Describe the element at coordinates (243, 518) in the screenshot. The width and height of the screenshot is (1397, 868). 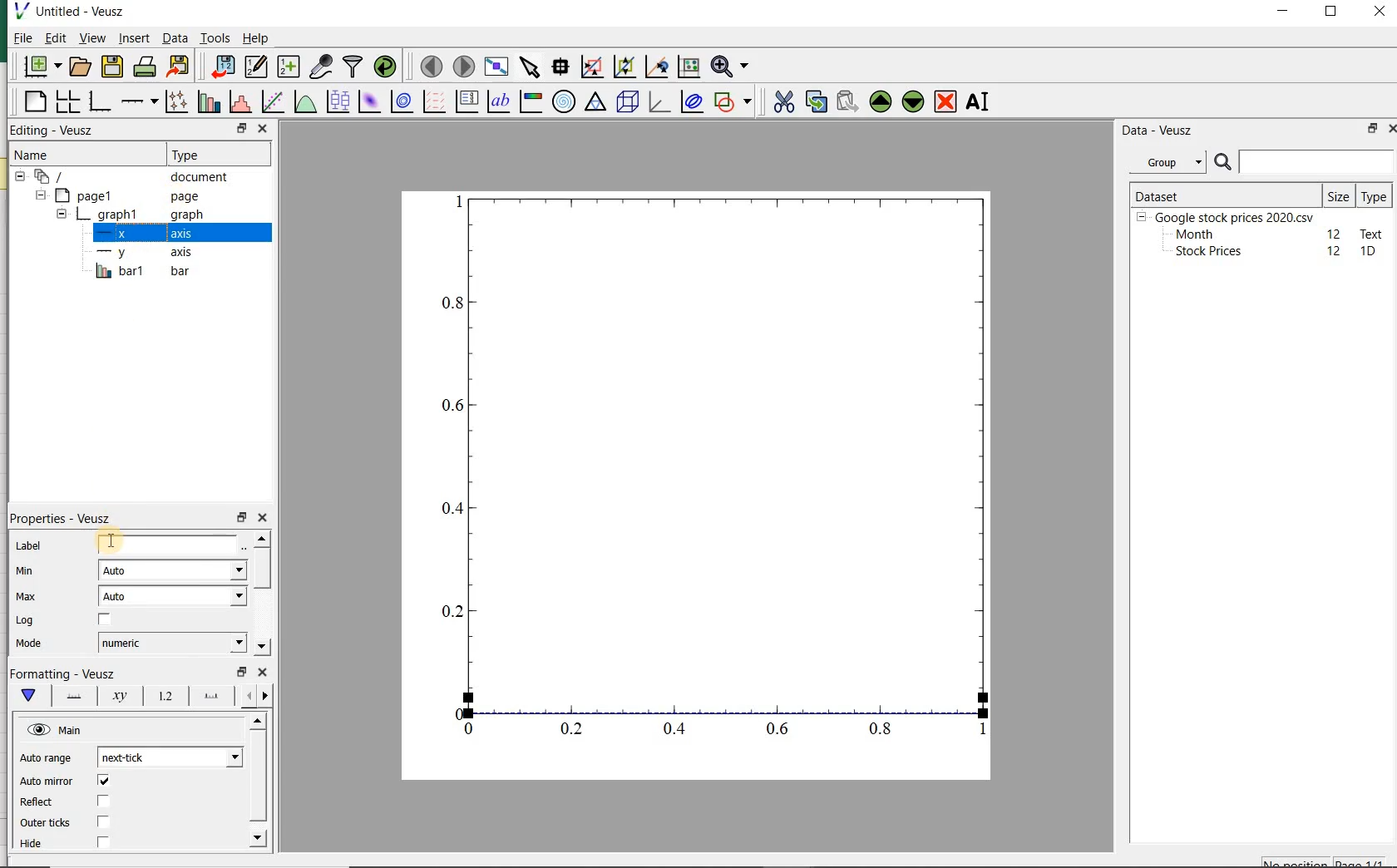
I see `restore` at that location.